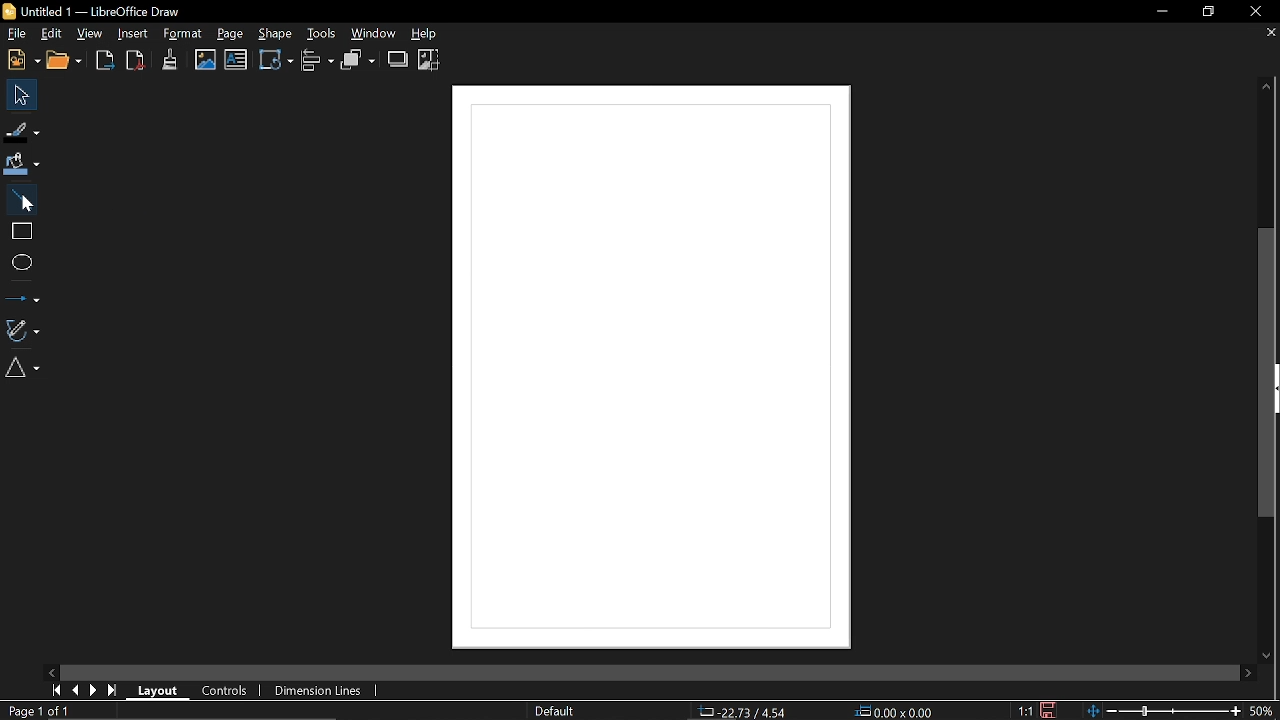  Describe the element at coordinates (93, 33) in the screenshot. I see `View` at that location.